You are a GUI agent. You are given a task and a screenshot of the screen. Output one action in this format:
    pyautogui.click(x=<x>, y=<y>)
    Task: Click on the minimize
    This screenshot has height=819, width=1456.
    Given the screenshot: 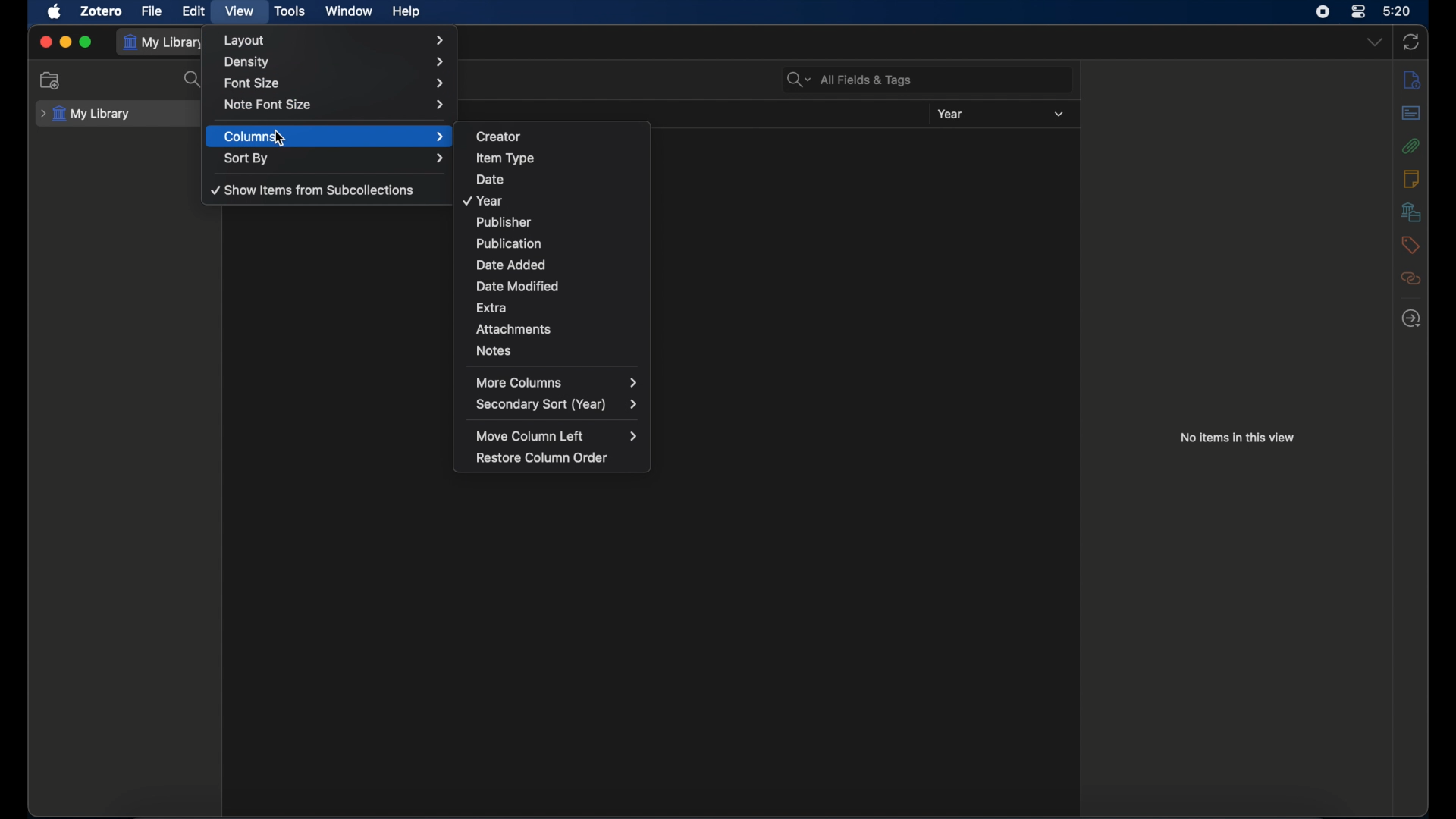 What is the action you would take?
    pyautogui.click(x=65, y=42)
    